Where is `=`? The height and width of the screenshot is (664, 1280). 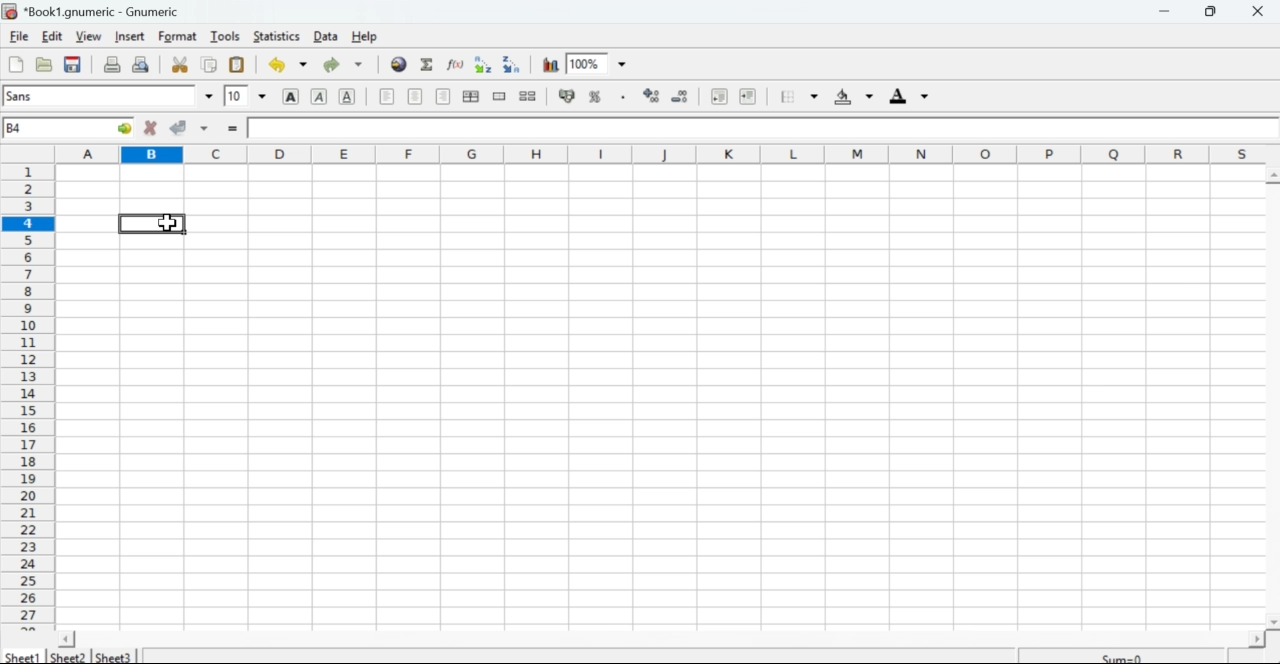 = is located at coordinates (235, 129).